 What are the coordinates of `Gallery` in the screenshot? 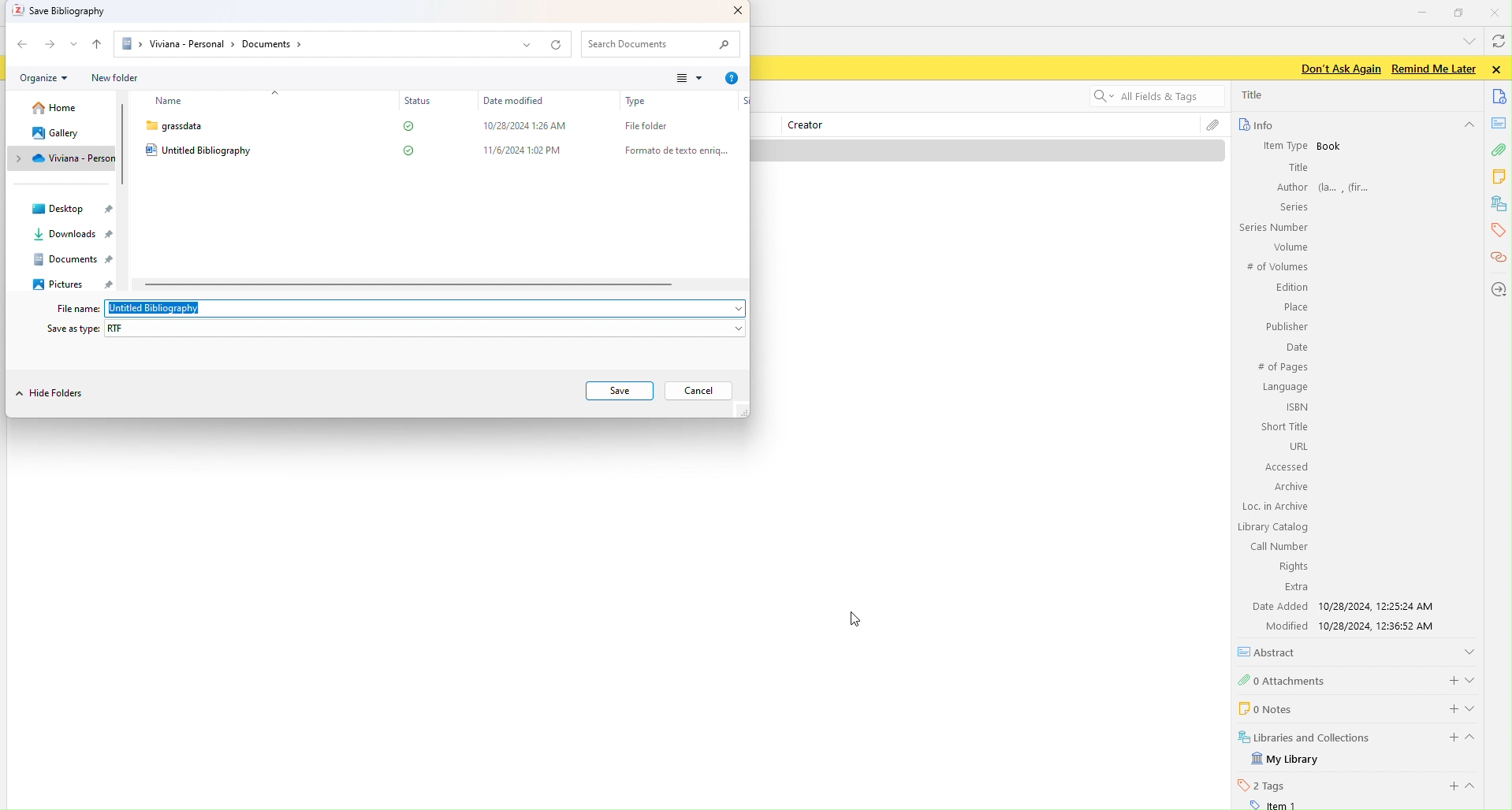 It's located at (54, 133).